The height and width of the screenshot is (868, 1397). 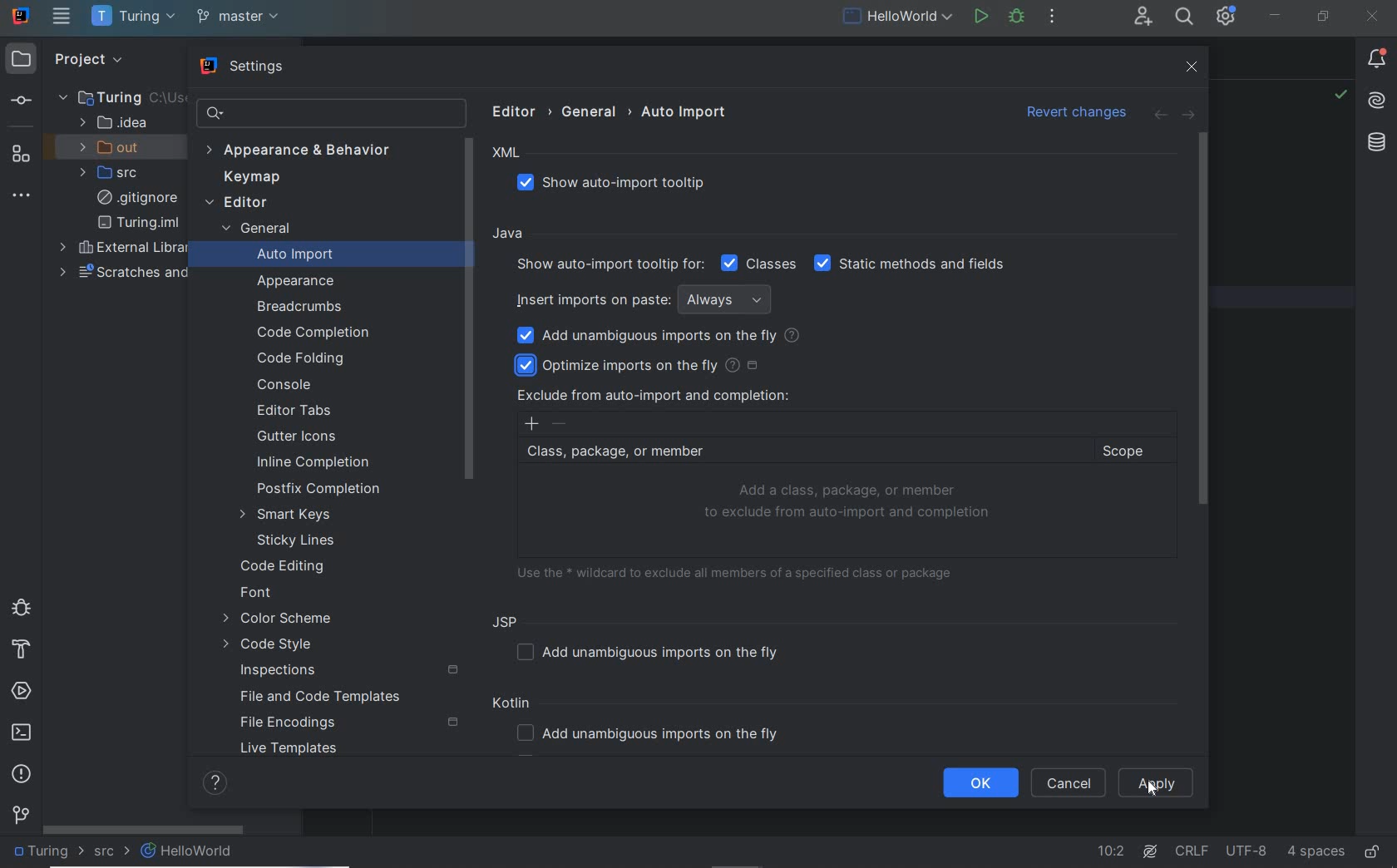 I want to click on RESTORE DOWN, so click(x=1324, y=18).